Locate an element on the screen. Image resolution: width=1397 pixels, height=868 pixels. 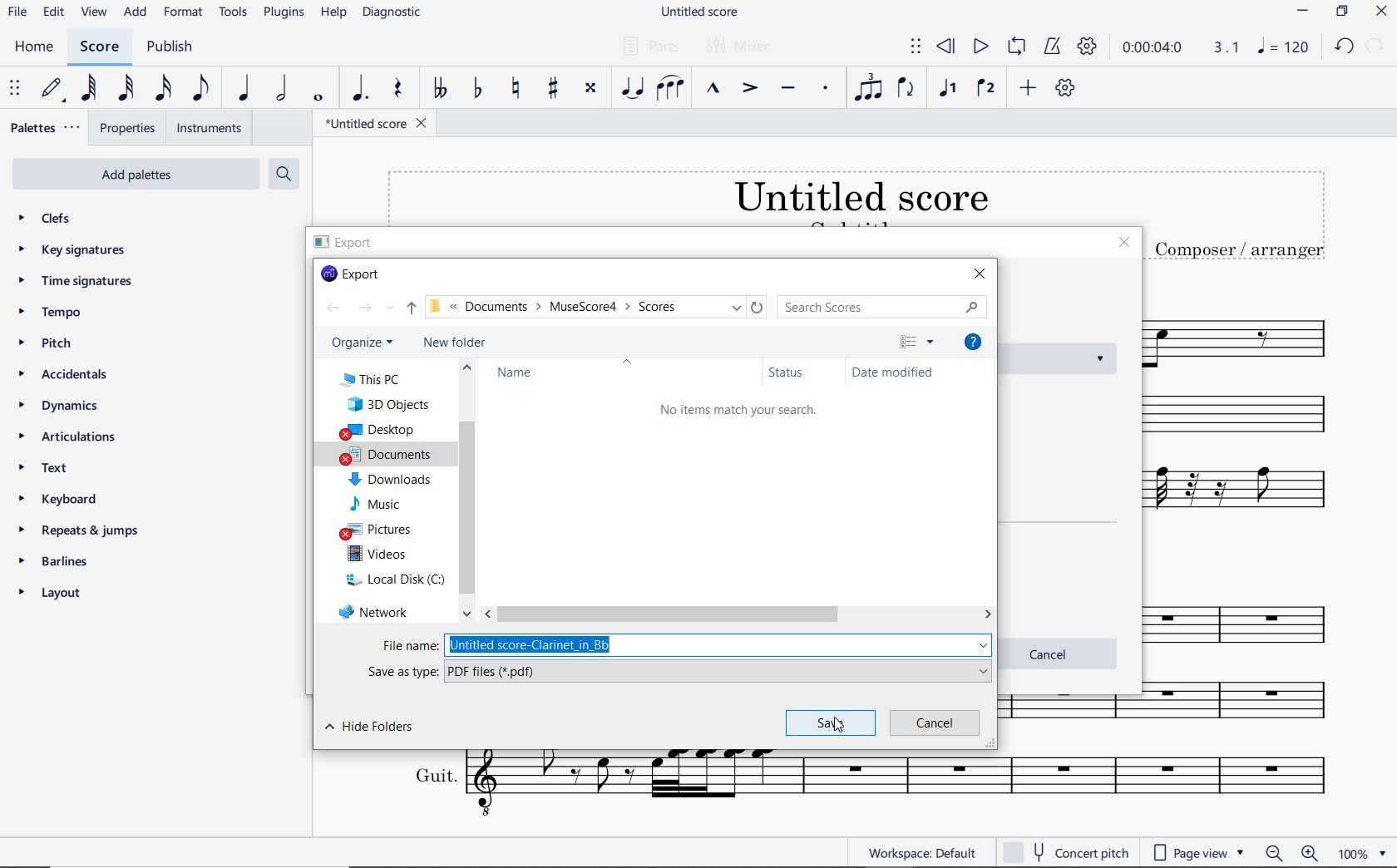
file name is located at coordinates (689, 644).